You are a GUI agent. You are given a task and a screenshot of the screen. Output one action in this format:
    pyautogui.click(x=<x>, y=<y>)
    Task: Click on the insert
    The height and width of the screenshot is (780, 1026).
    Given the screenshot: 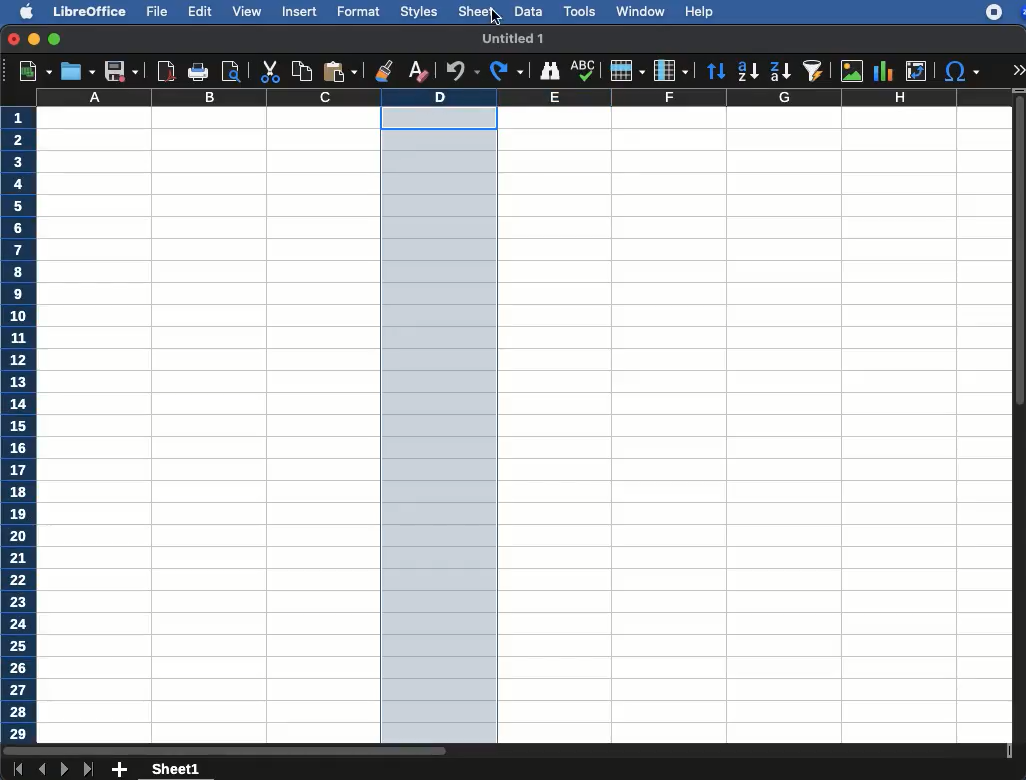 What is the action you would take?
    pyautogui.click(x=299, y=13)
    